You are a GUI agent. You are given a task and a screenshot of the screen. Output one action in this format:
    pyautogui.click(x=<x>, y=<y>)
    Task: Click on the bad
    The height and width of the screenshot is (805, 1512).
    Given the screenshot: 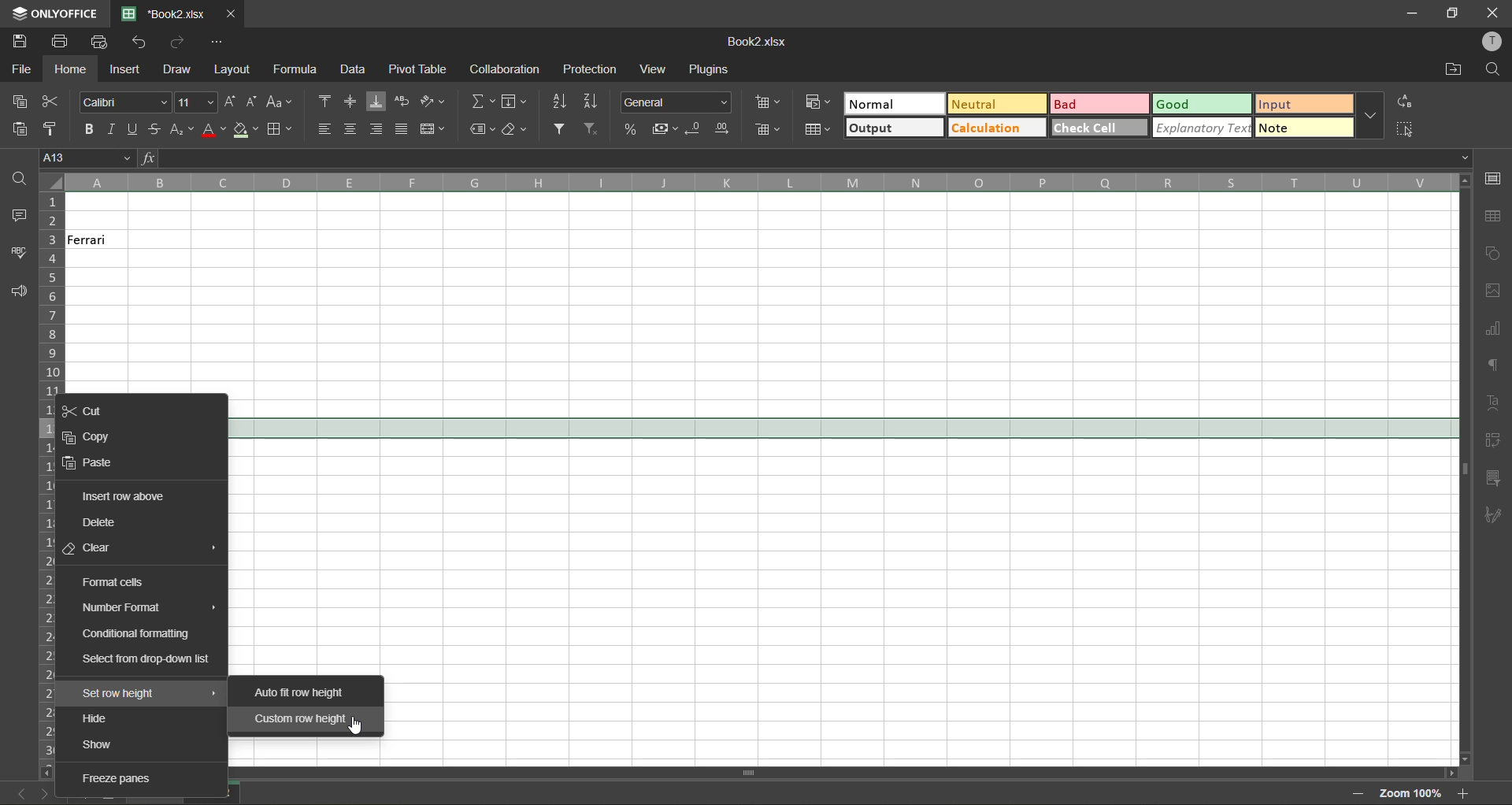 What is the action you would take?
    pyautogui.click(x=1101, y=106)
    